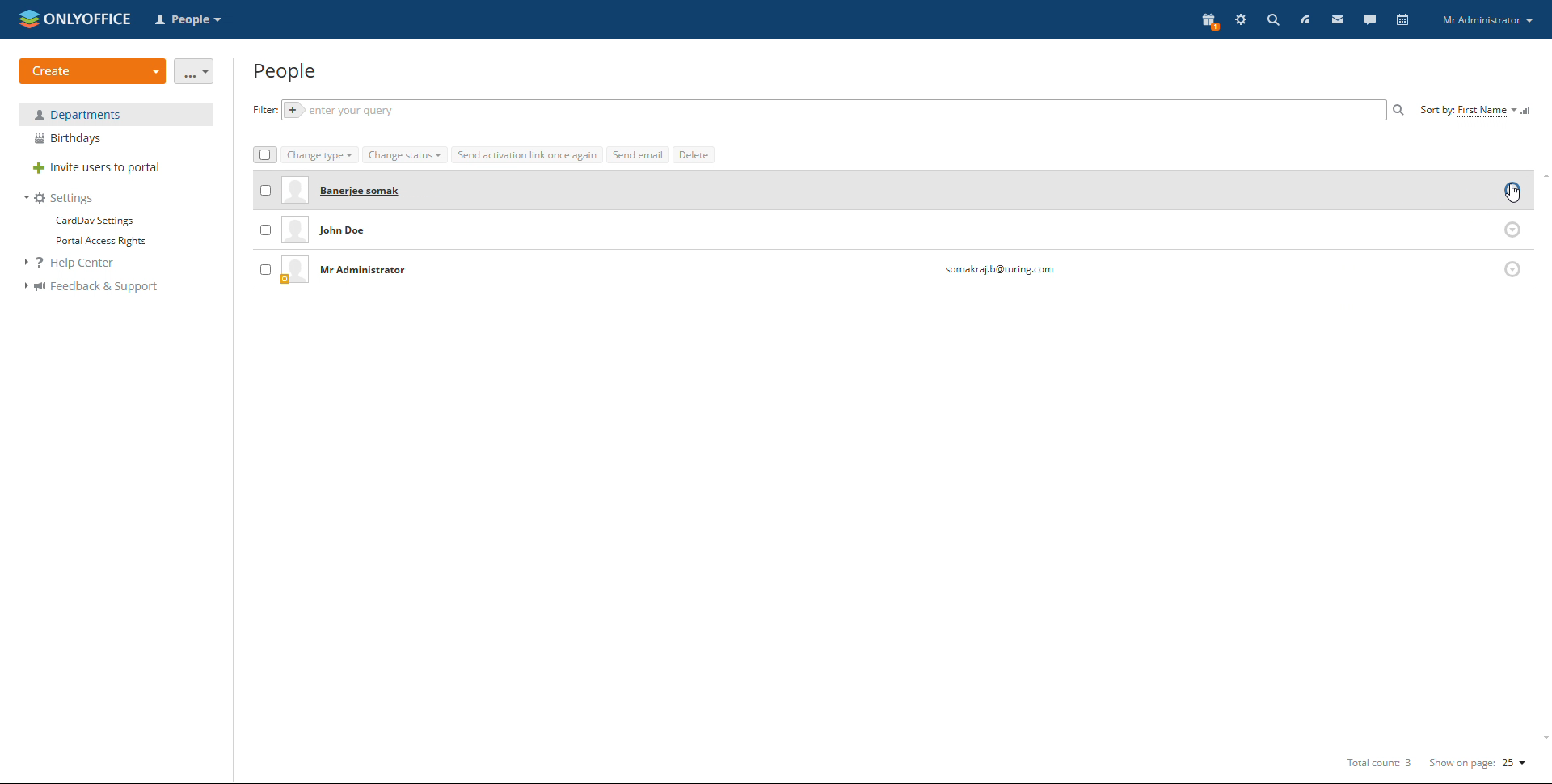 The height and width of the screenshot is (784, 1552). What do you see at coordinates (78, 263) in the screenshot?
I see `help center` at bounding box center [78, 263].